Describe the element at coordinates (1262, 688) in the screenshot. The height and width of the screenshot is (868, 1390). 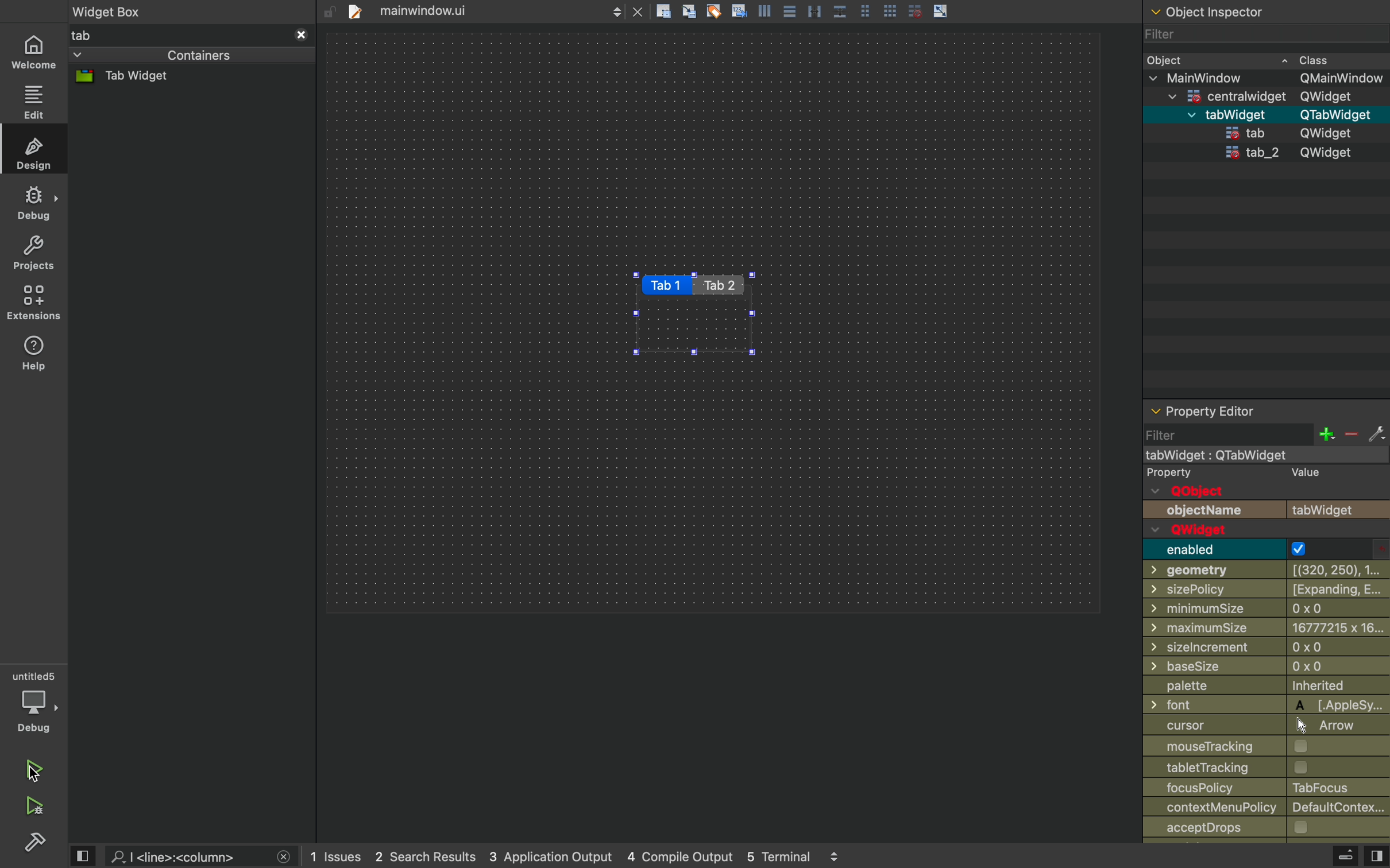
I see `palette` at that location.